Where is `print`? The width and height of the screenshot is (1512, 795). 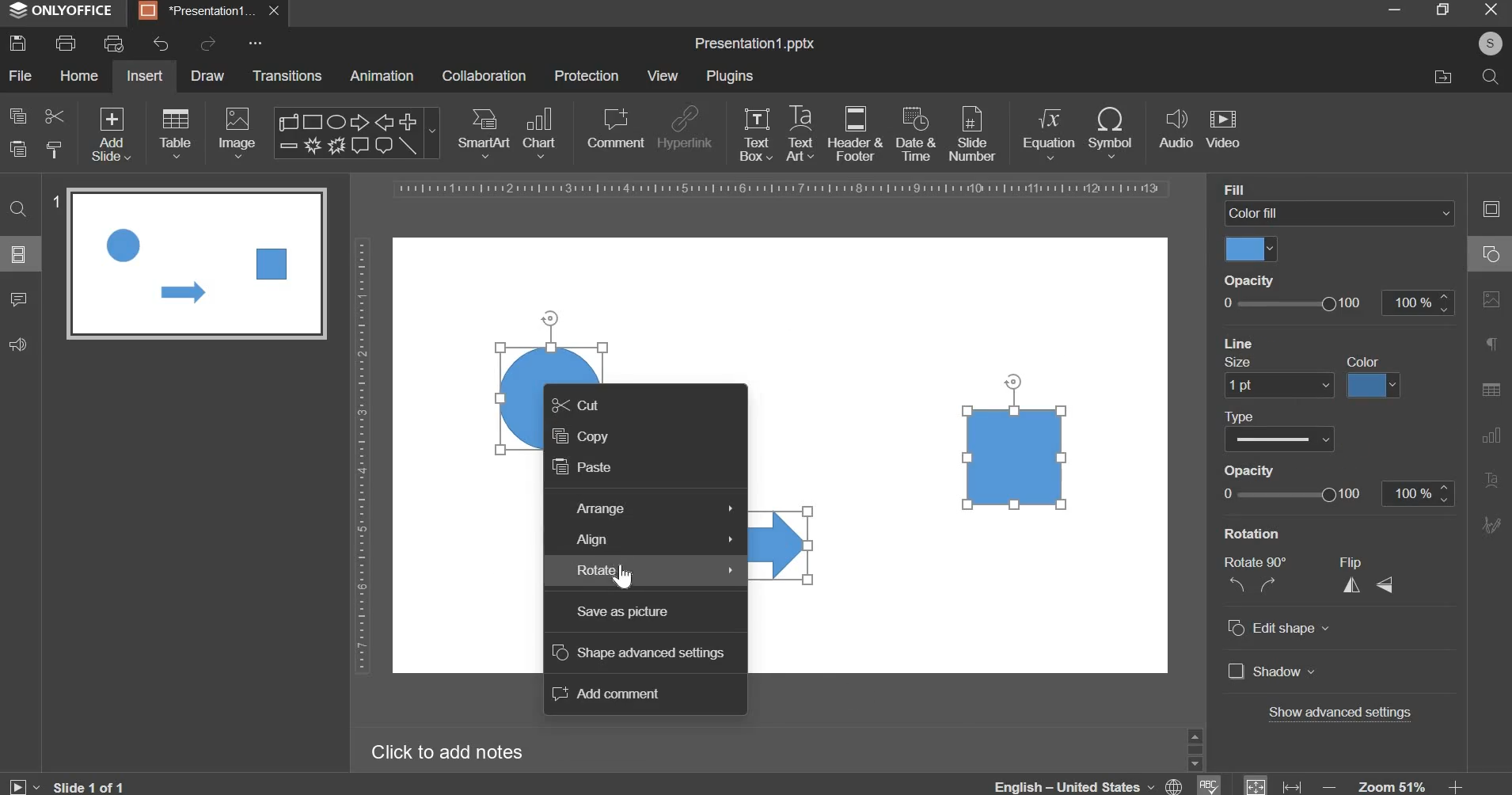
print is located at coordinates (66, 44).